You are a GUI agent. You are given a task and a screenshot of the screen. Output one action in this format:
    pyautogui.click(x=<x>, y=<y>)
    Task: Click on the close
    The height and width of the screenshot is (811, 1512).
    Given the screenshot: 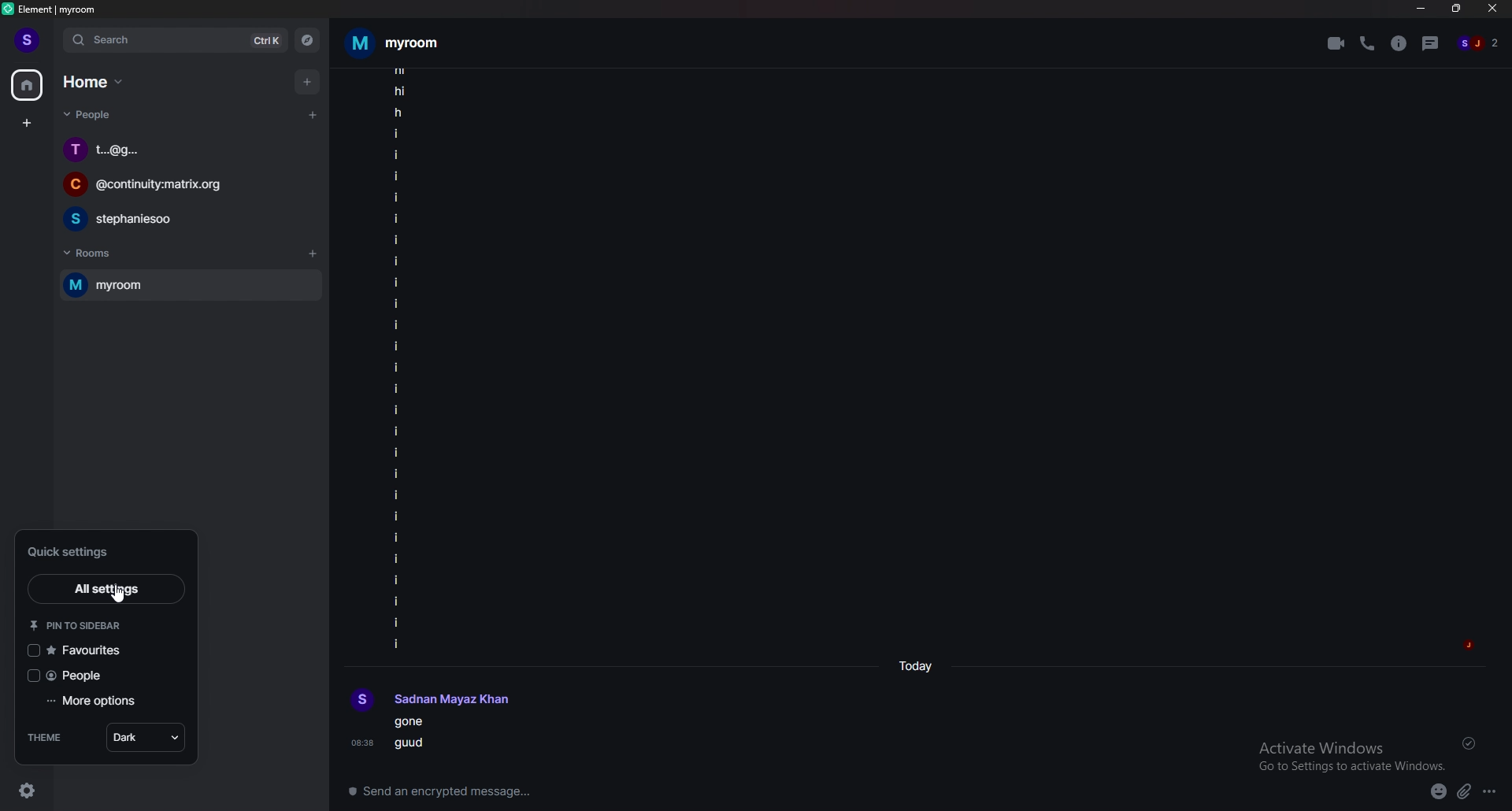 What is the action you would take?
    pyautogui.click(x=1493, y=12)
    